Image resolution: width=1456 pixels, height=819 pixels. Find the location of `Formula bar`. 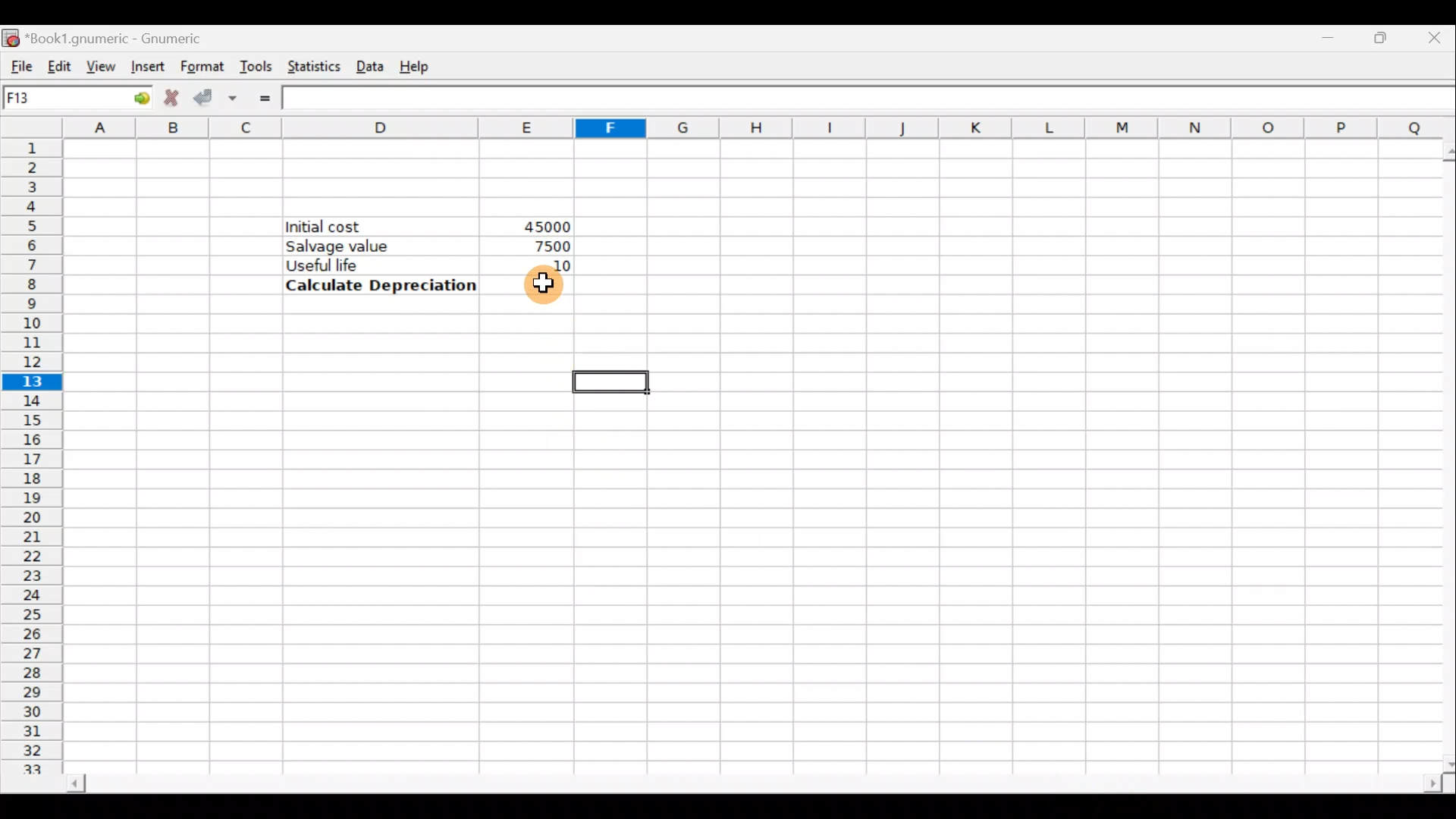

Formula bar is located at coordinates (869, 98).